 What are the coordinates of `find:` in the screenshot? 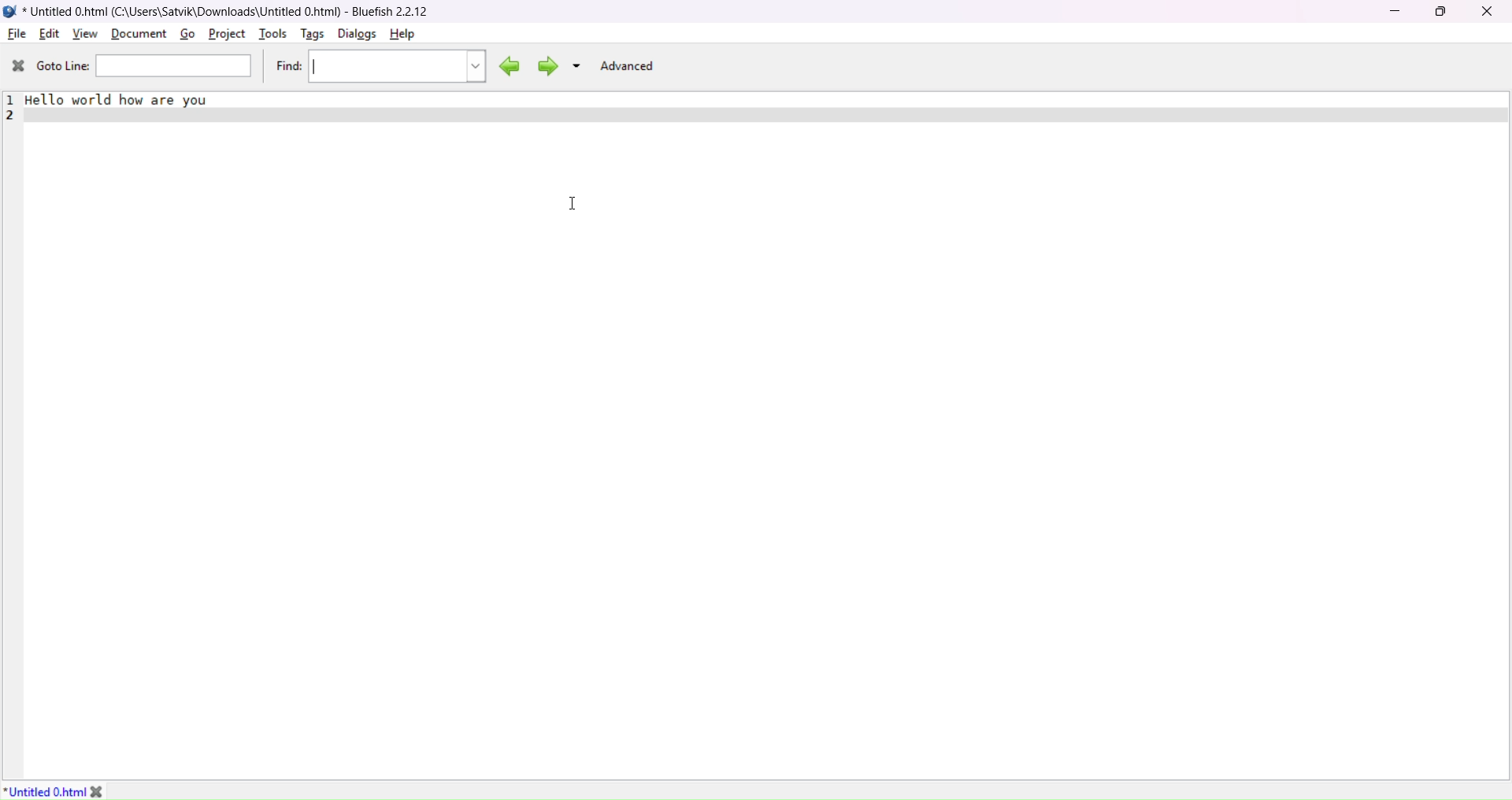 It's located at (288, 68).